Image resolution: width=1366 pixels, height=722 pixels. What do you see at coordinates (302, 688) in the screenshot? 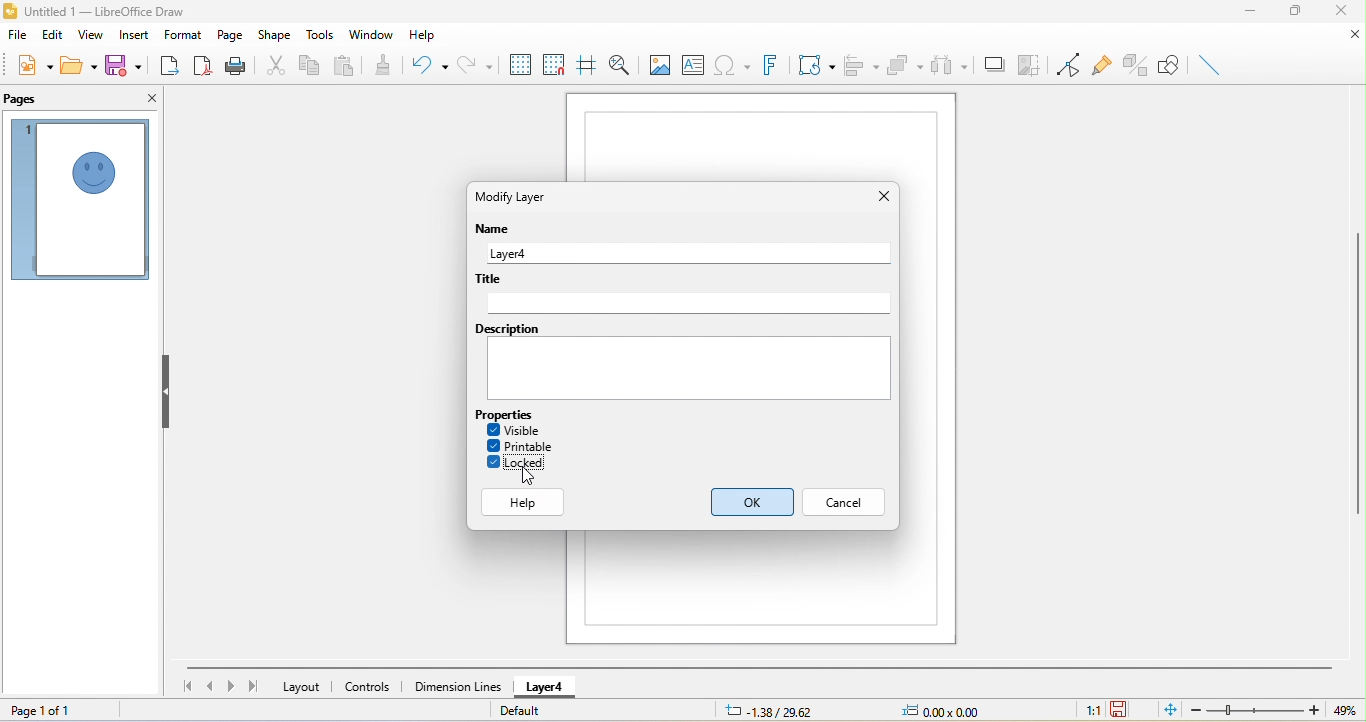
I see `layout` at bounding box center [302, 688].